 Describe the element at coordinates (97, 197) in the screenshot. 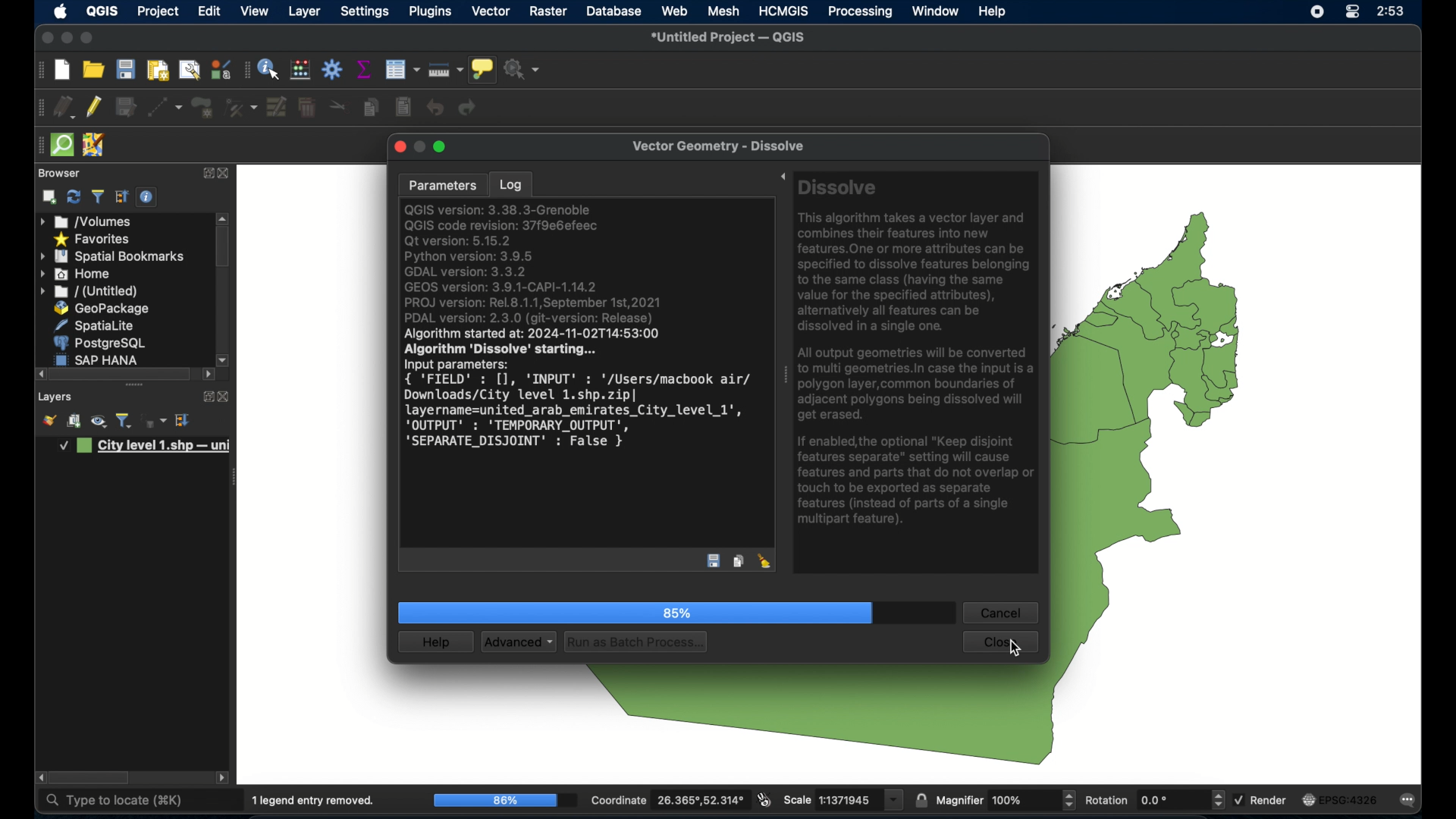

I see `filter legend` at that location.